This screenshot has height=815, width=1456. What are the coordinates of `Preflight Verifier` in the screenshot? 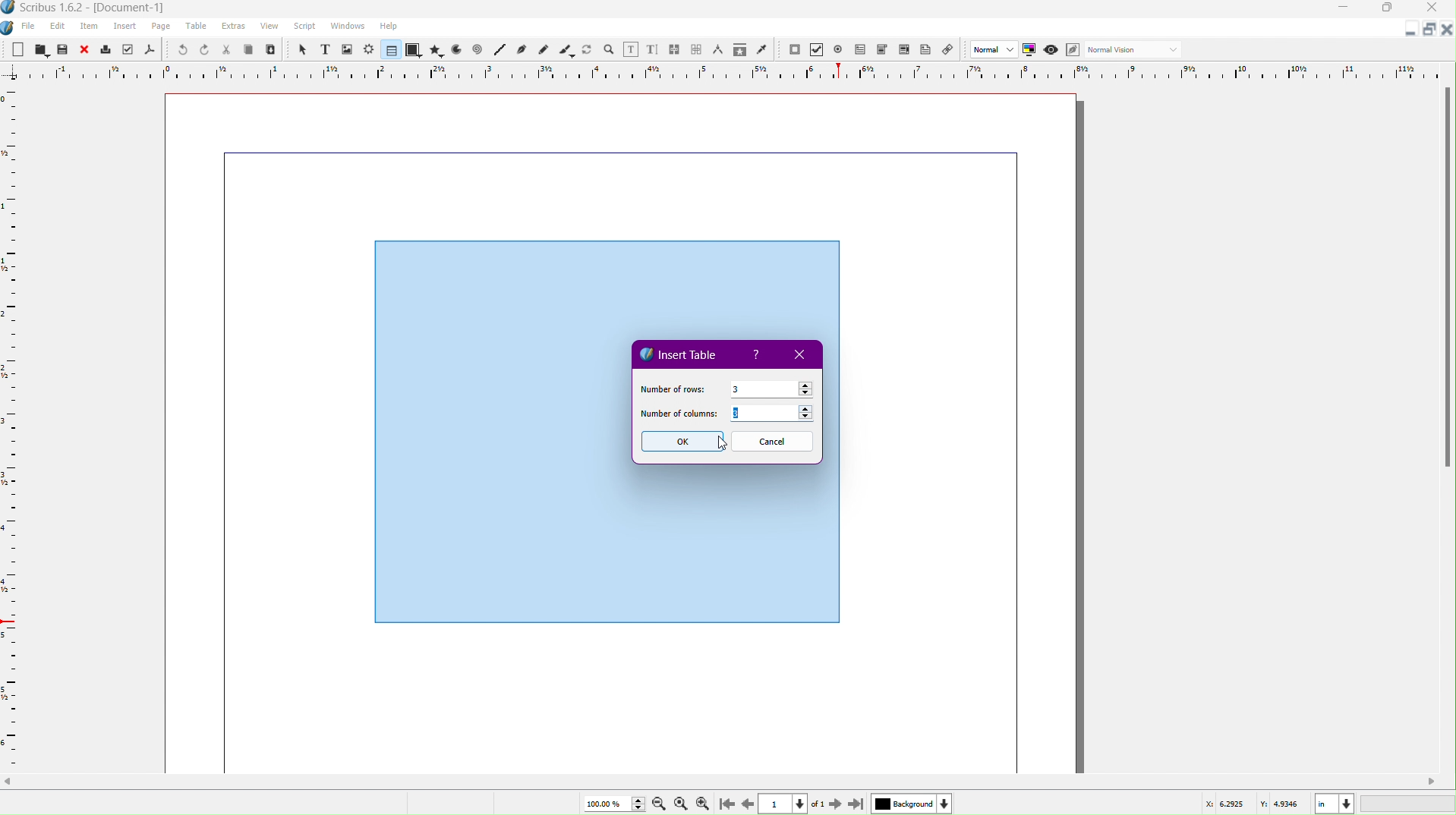 It's located at (125, 50).